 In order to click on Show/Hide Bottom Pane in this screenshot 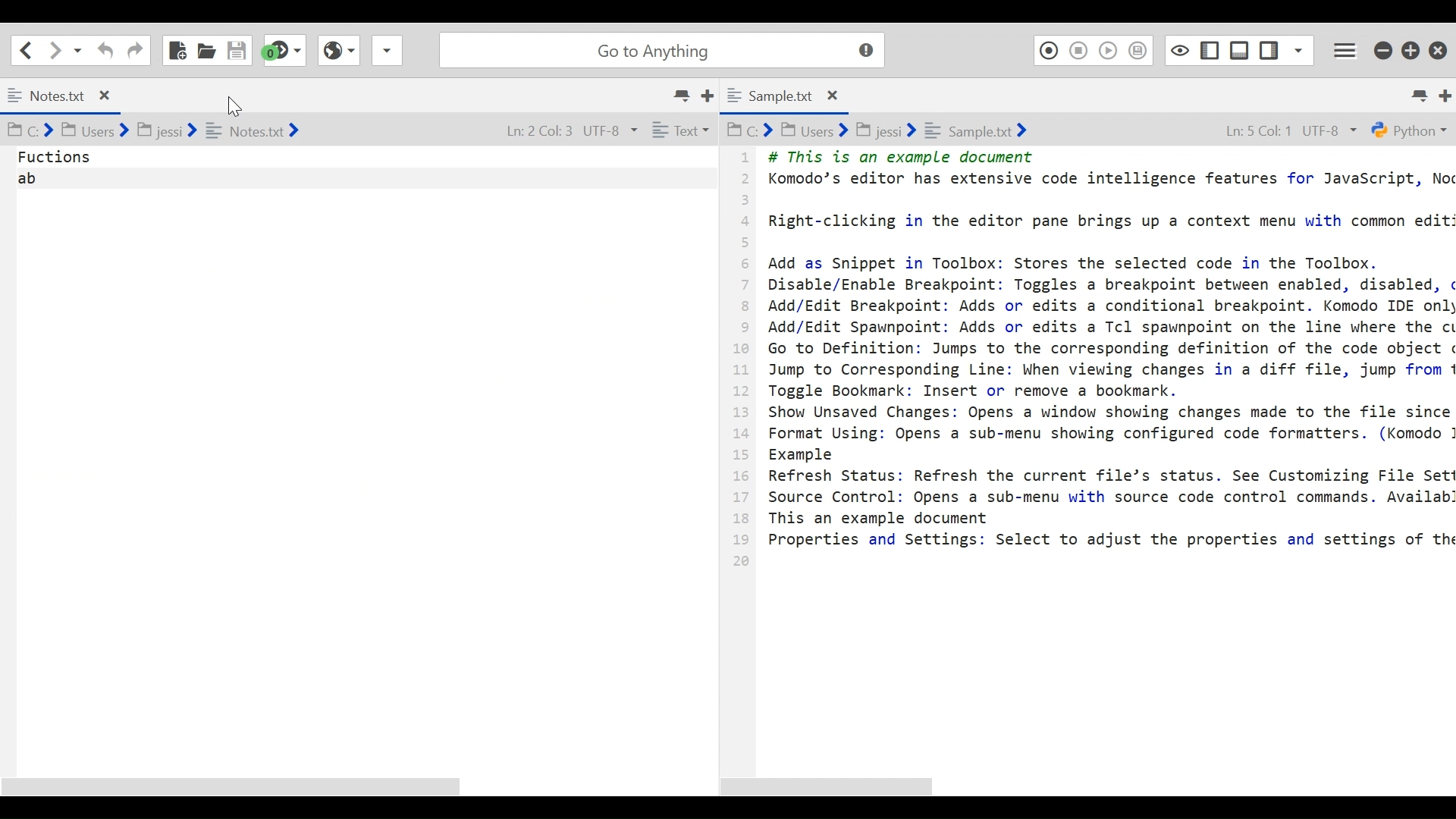, I will do `click(1241, 49)`.